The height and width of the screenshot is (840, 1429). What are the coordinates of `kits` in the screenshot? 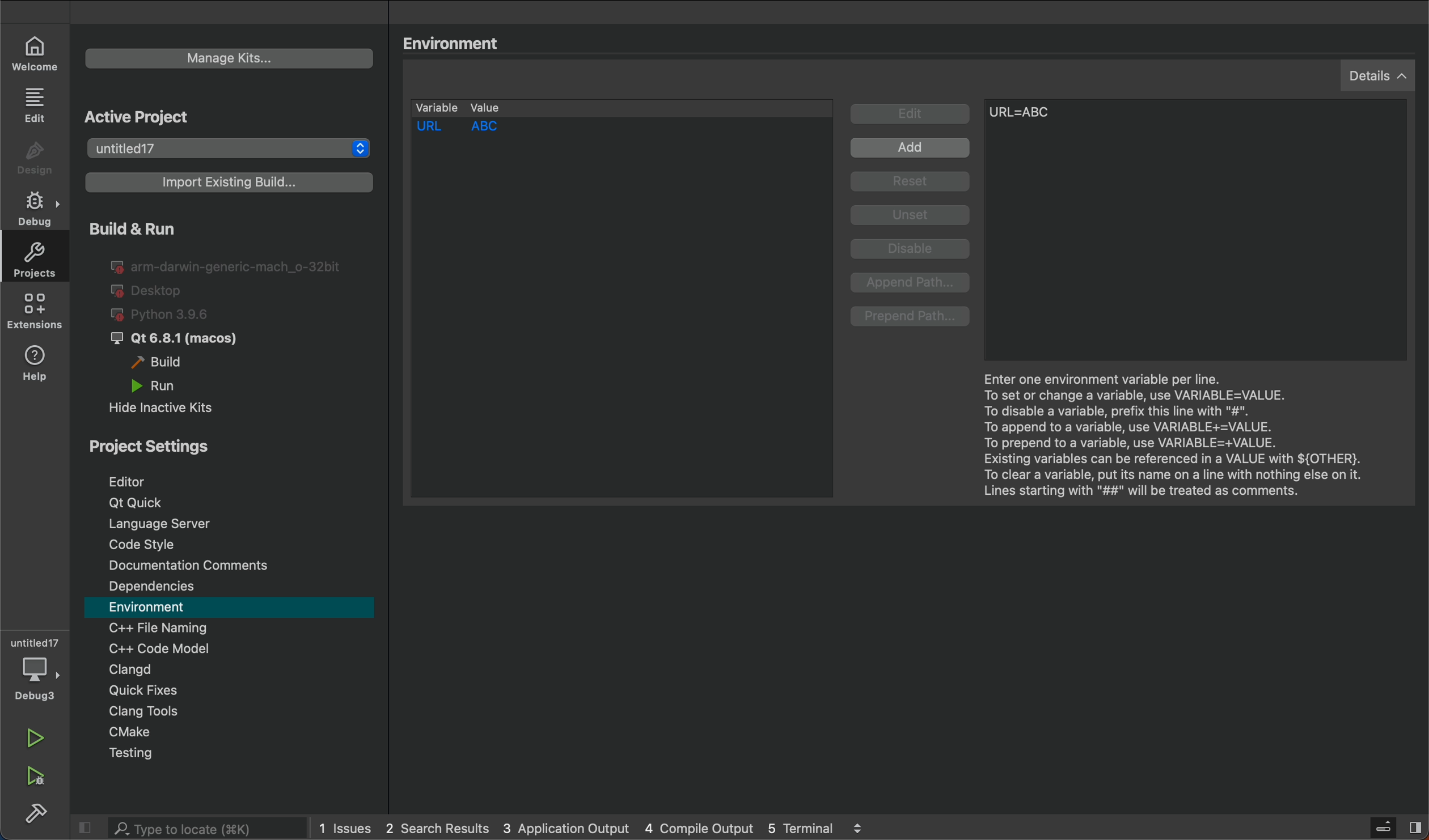 It's located at (227, 60).